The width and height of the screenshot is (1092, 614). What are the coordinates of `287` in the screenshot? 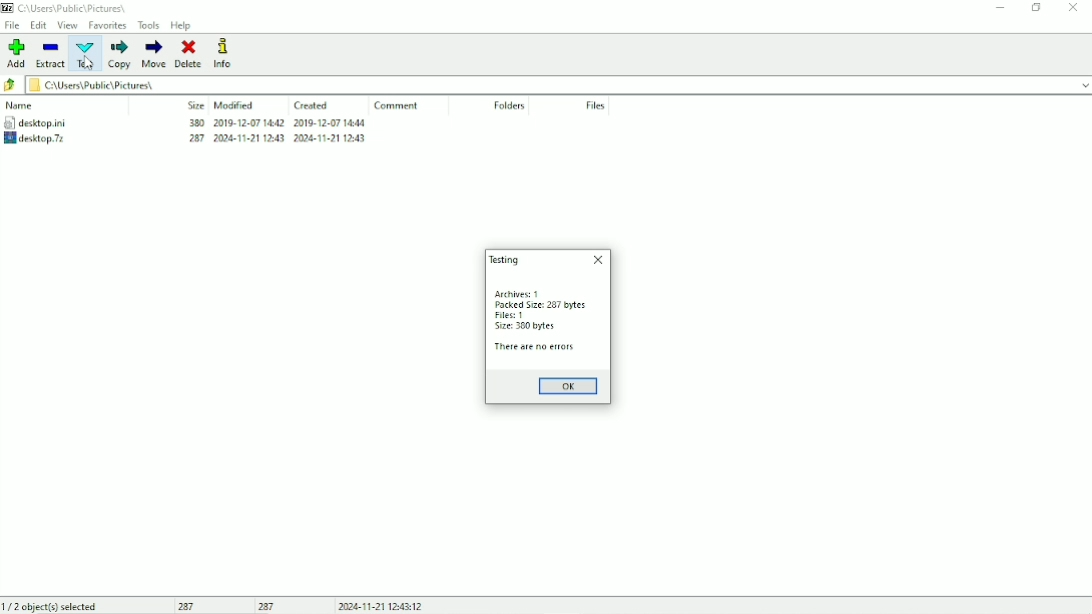 It's located at (186, 605).